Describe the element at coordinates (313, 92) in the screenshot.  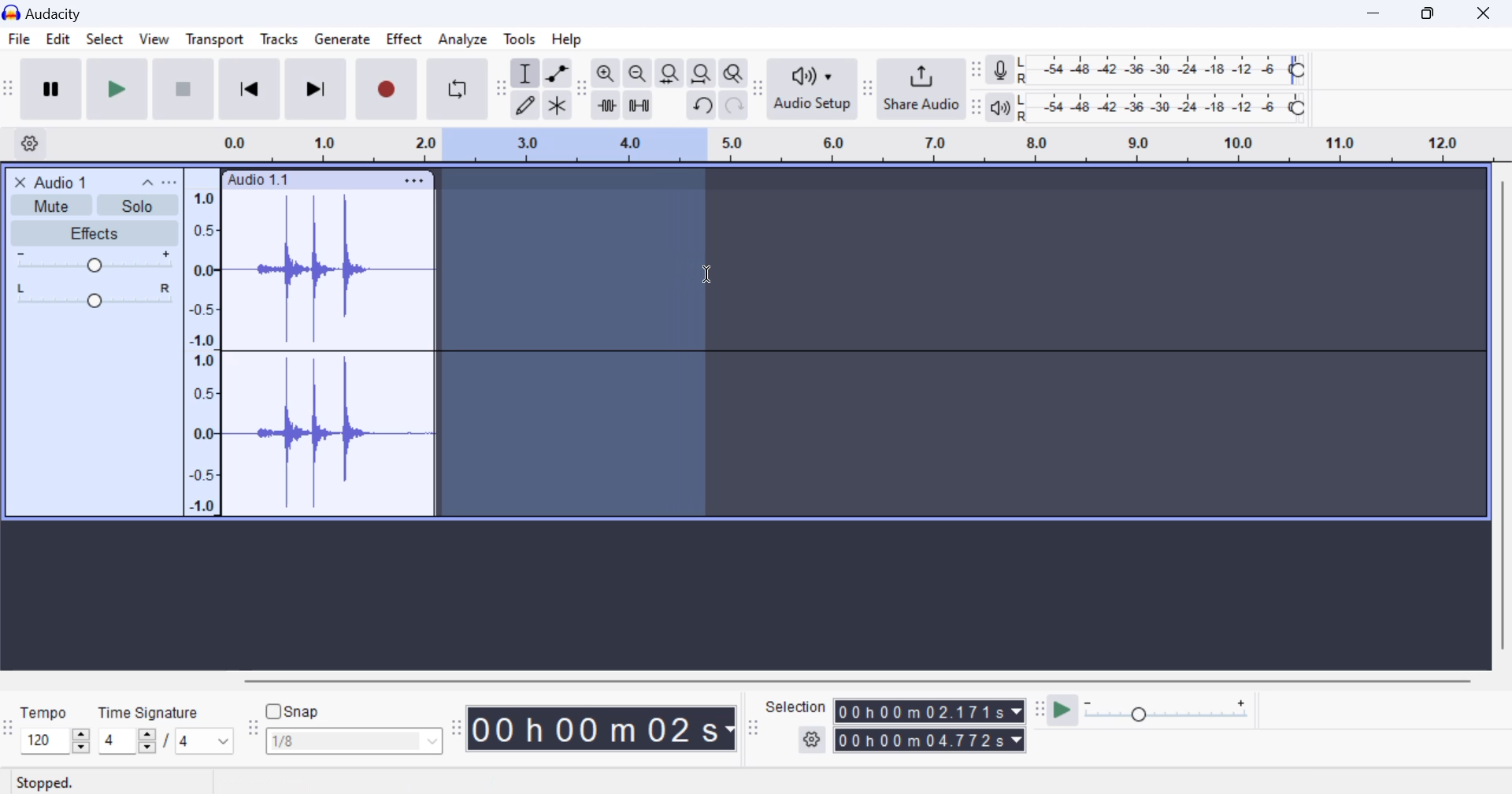
I see `Skip To End` at that location.